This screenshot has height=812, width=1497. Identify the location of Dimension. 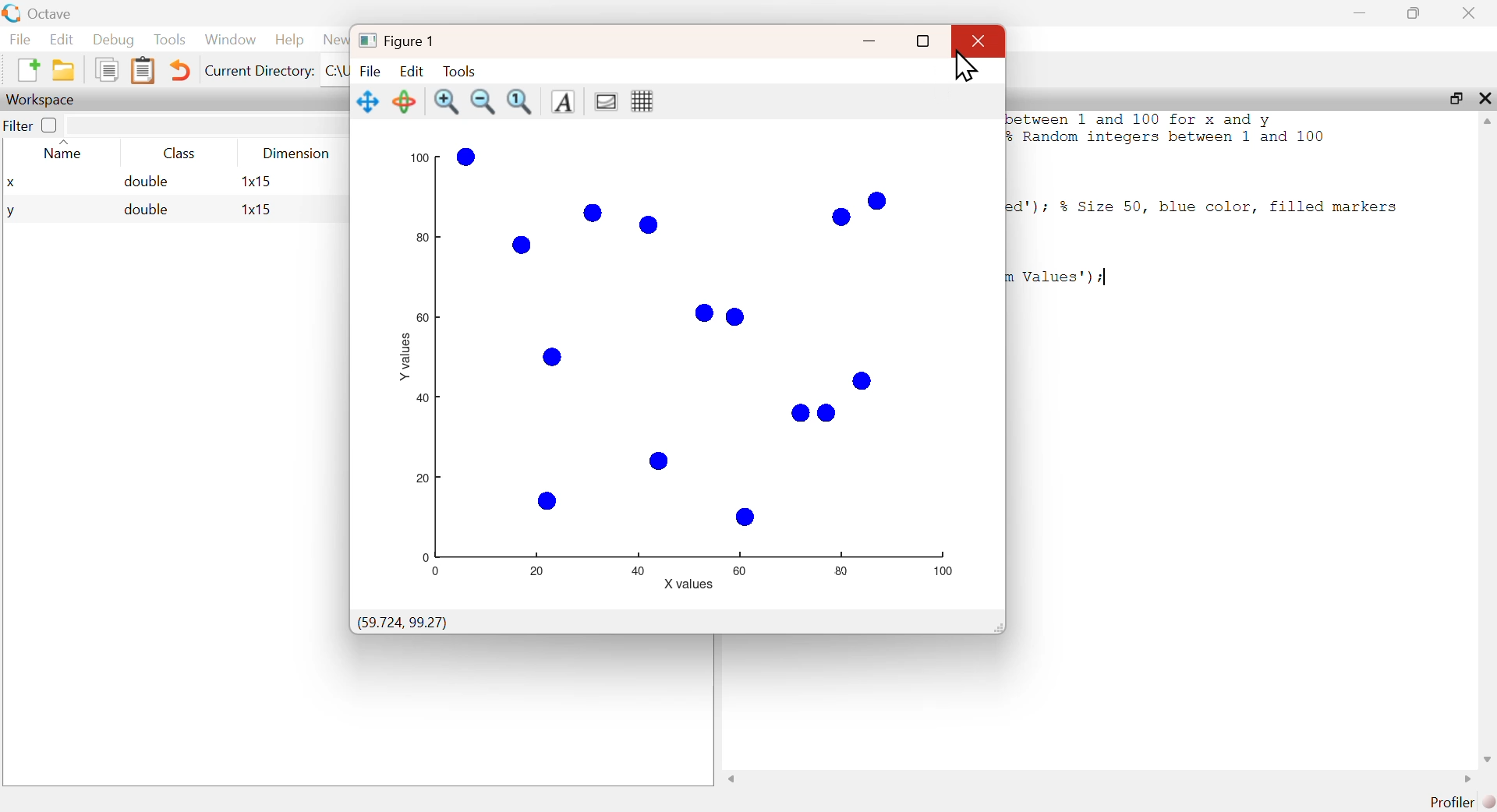
(298, 154).